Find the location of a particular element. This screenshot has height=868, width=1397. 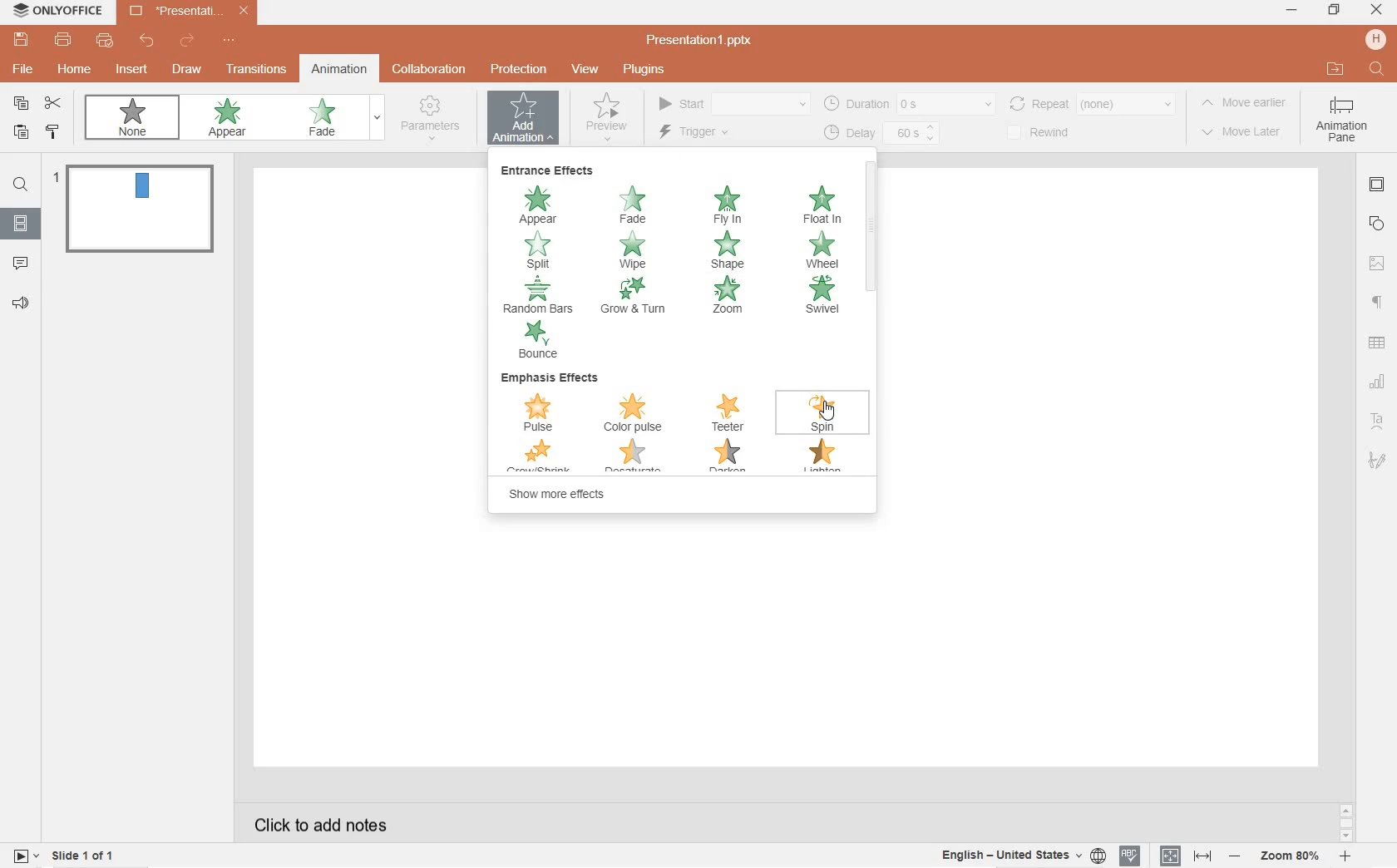

*Presentation1.pptx is located at coordinates (193, 12).